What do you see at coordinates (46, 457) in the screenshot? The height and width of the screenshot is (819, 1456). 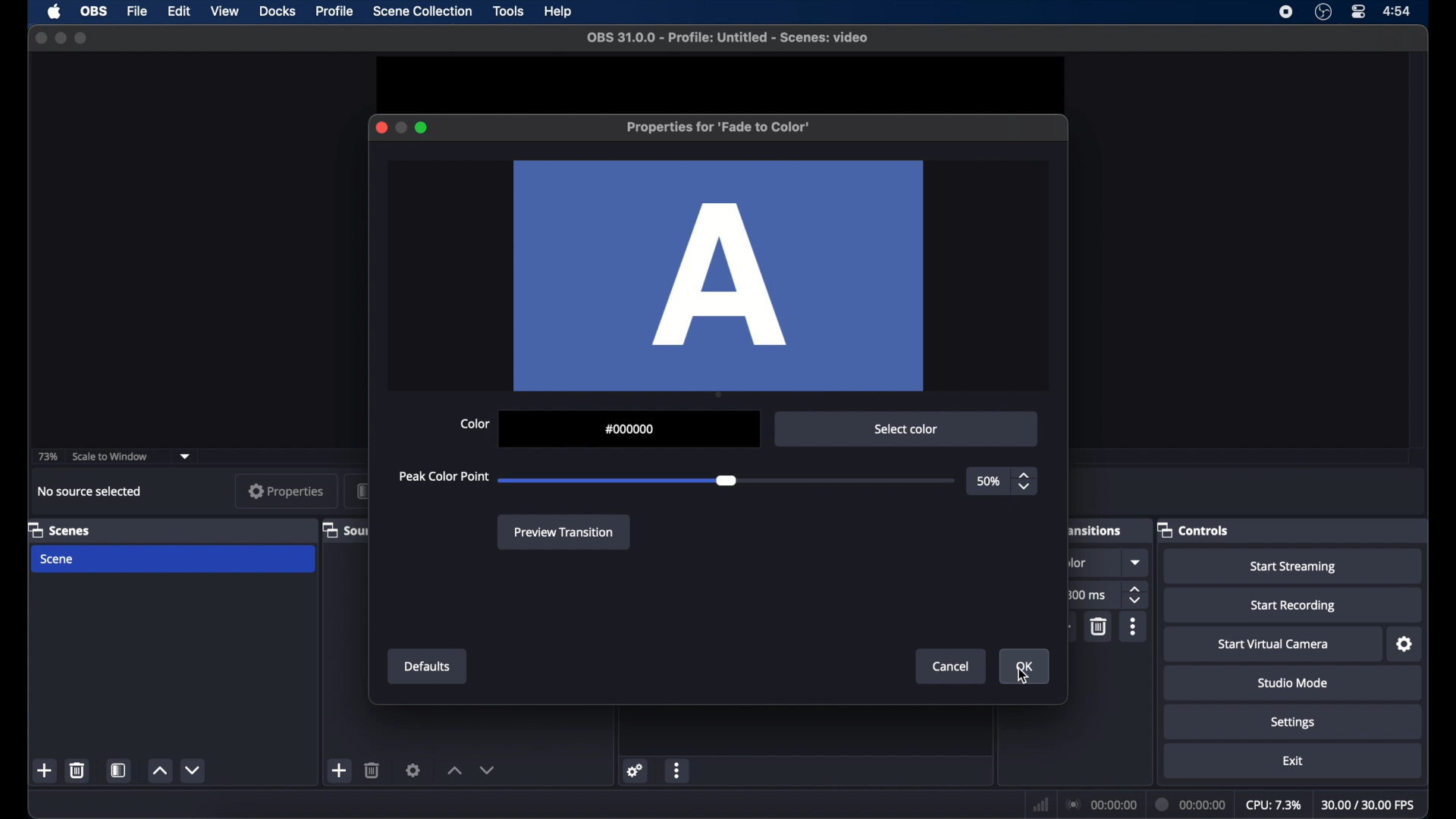 I see `73%` at bounding box center [46, 457].